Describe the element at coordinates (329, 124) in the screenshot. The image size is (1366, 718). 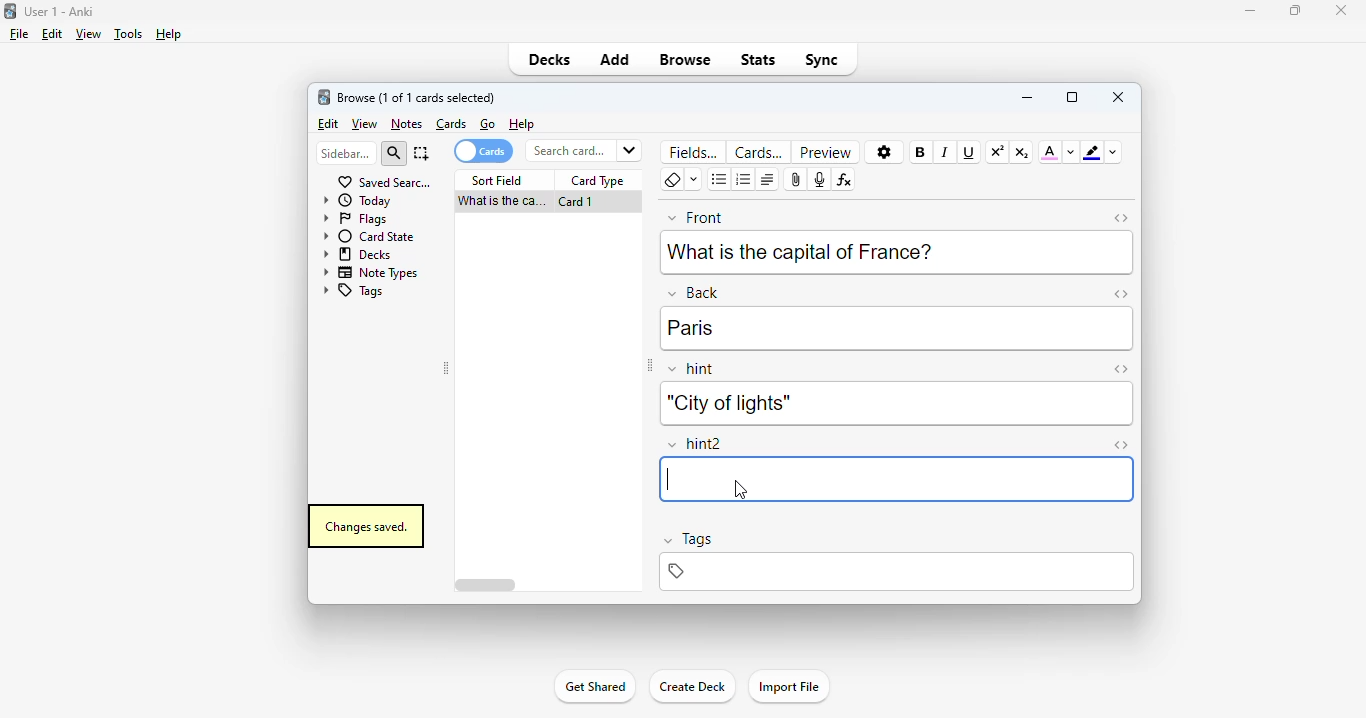
I see `edit` at that location.